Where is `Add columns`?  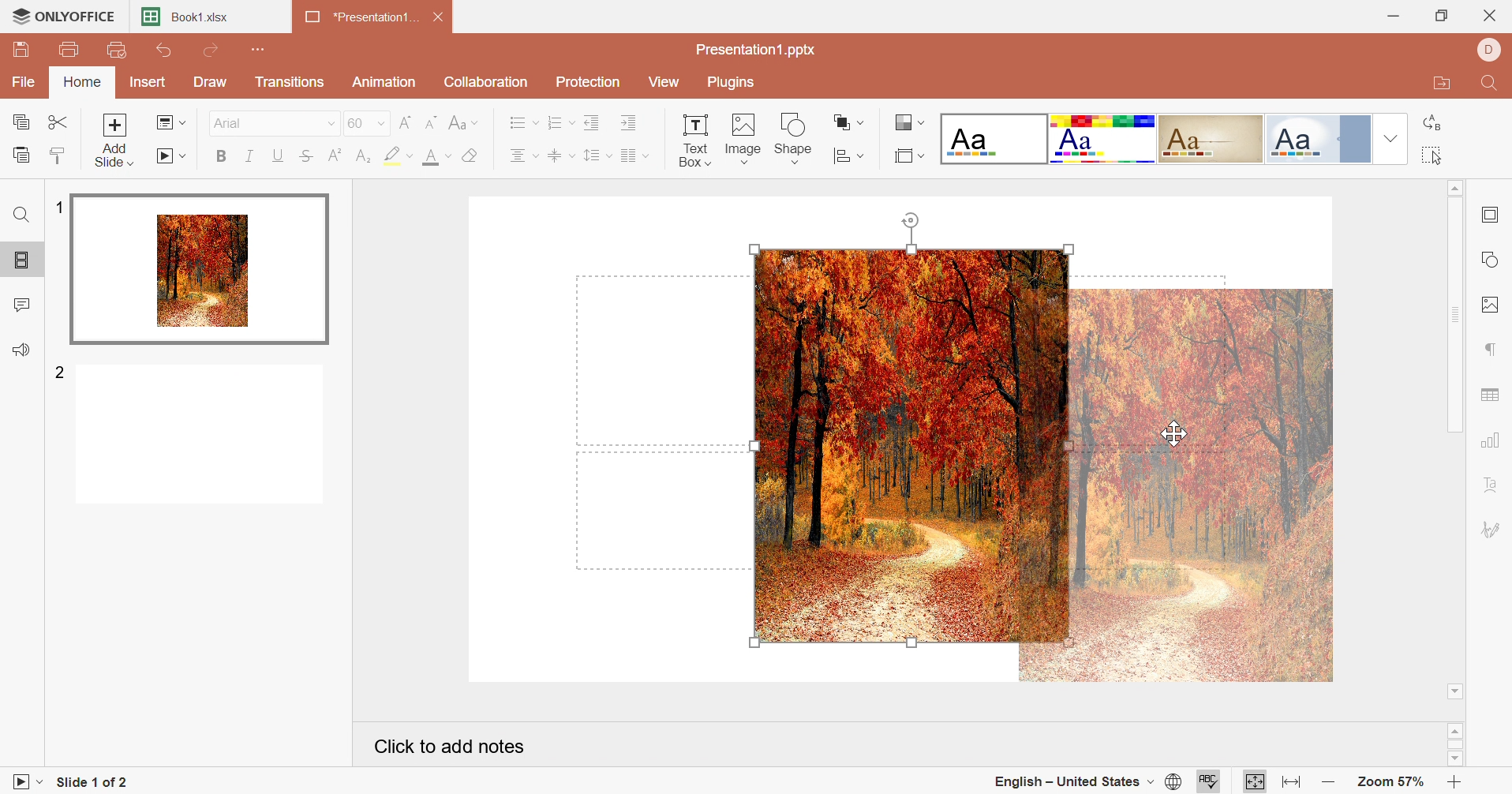
Add columns is located at coordinates (633, 156).